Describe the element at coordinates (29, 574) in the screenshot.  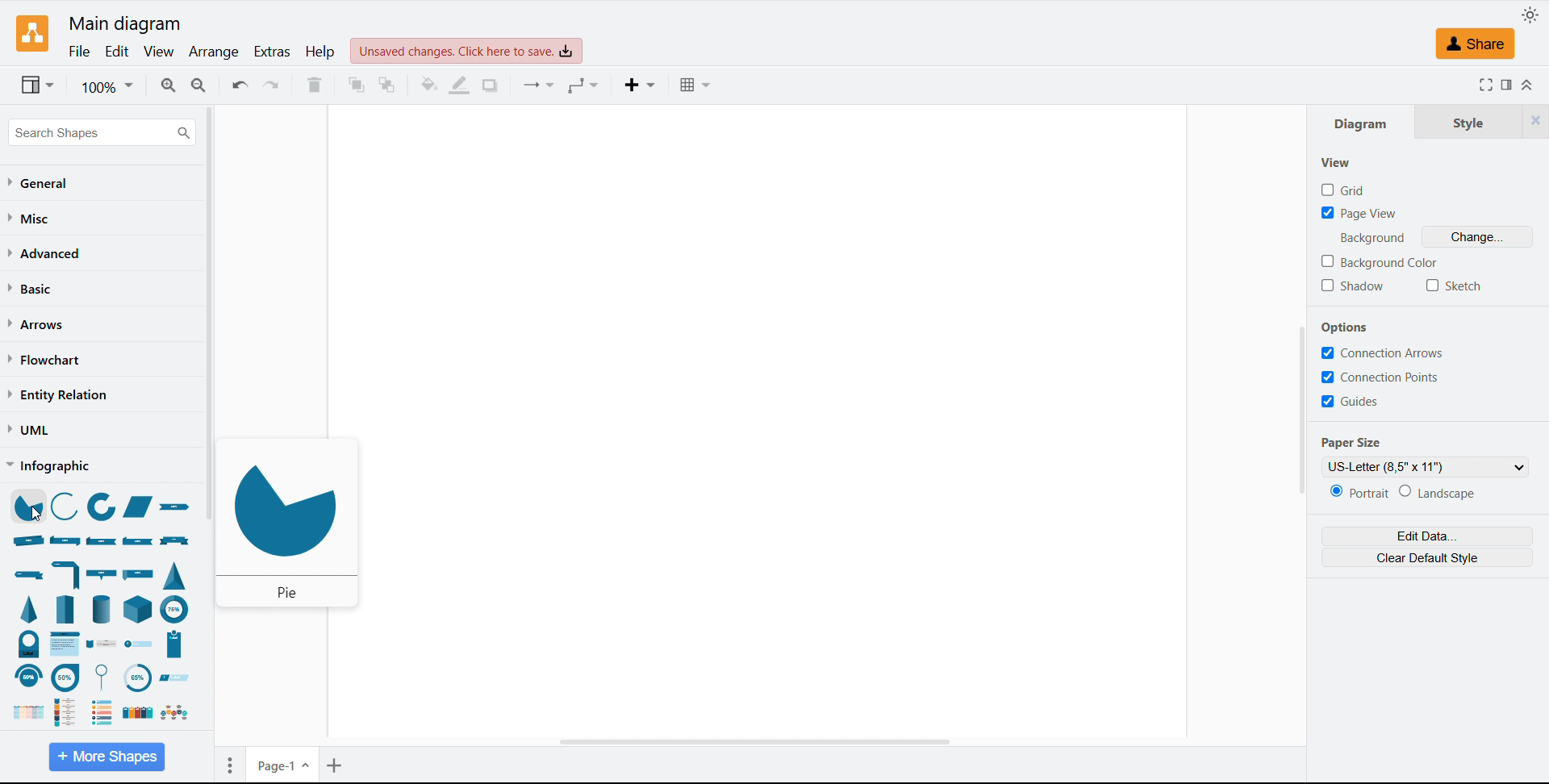
I see `banner single fold` at that location.